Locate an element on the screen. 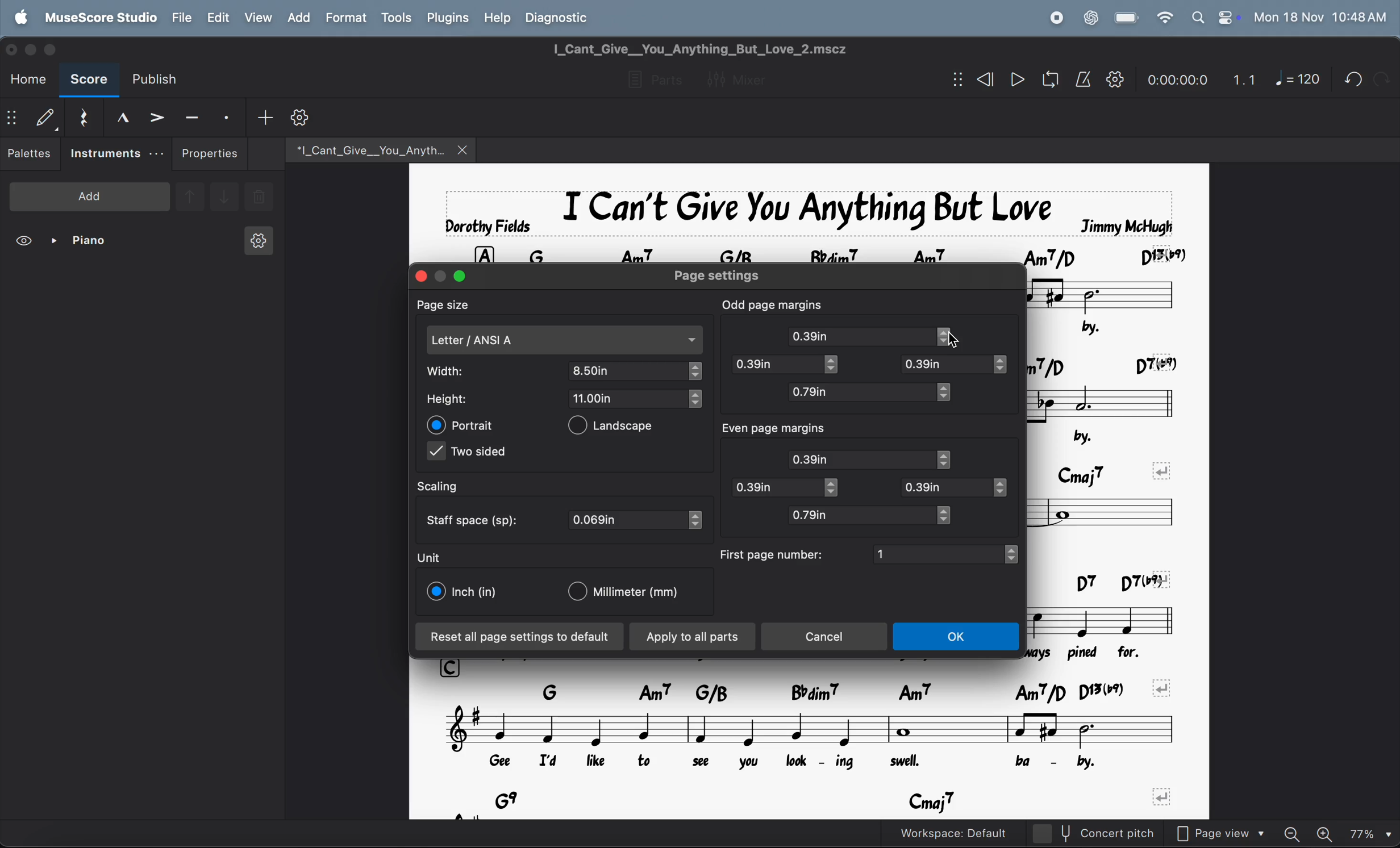  0.39 inches is located at coordinates (860, 336).